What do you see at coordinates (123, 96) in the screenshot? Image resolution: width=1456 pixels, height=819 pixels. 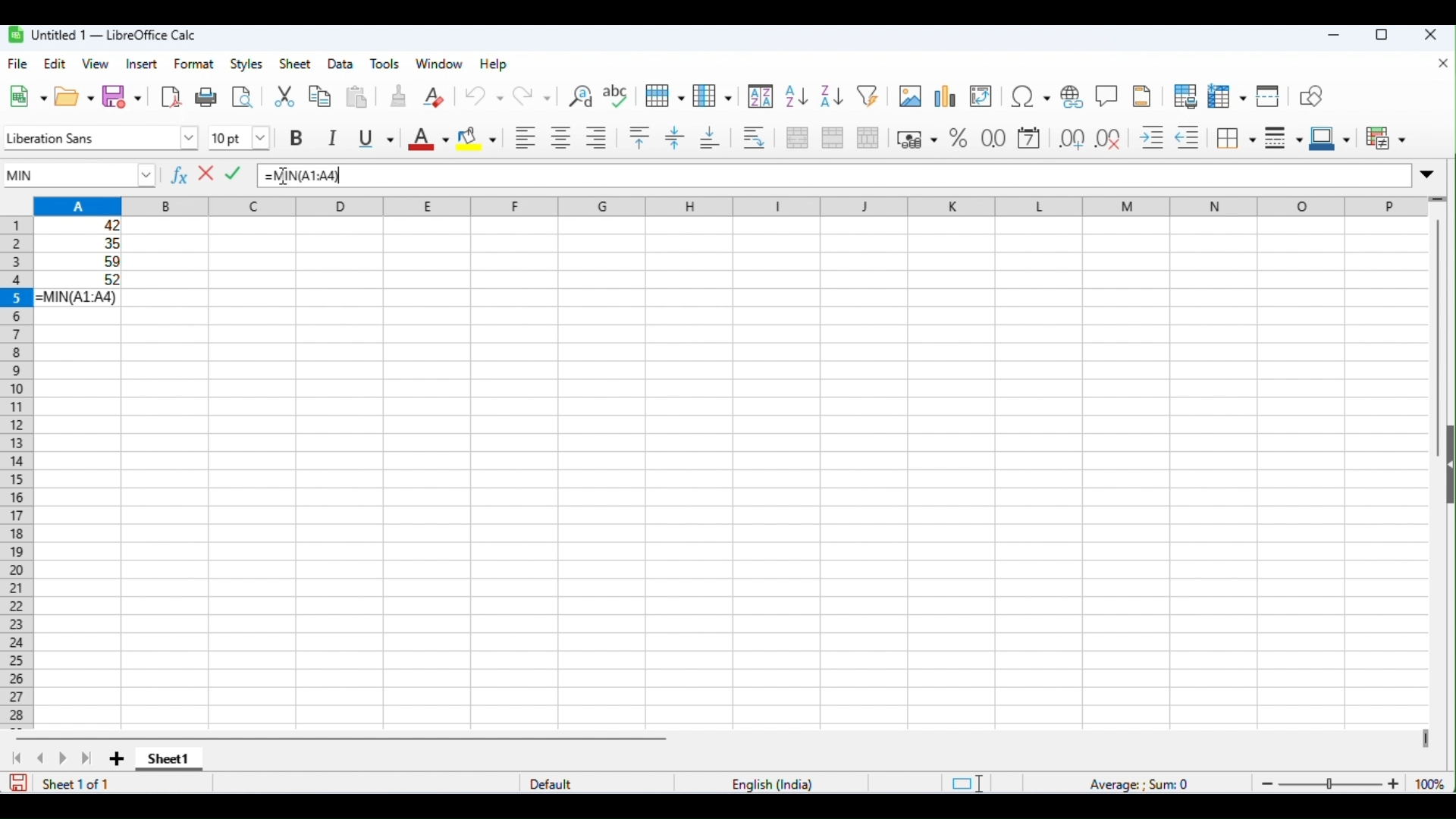 I see `save` at bounding box center [123, 96].